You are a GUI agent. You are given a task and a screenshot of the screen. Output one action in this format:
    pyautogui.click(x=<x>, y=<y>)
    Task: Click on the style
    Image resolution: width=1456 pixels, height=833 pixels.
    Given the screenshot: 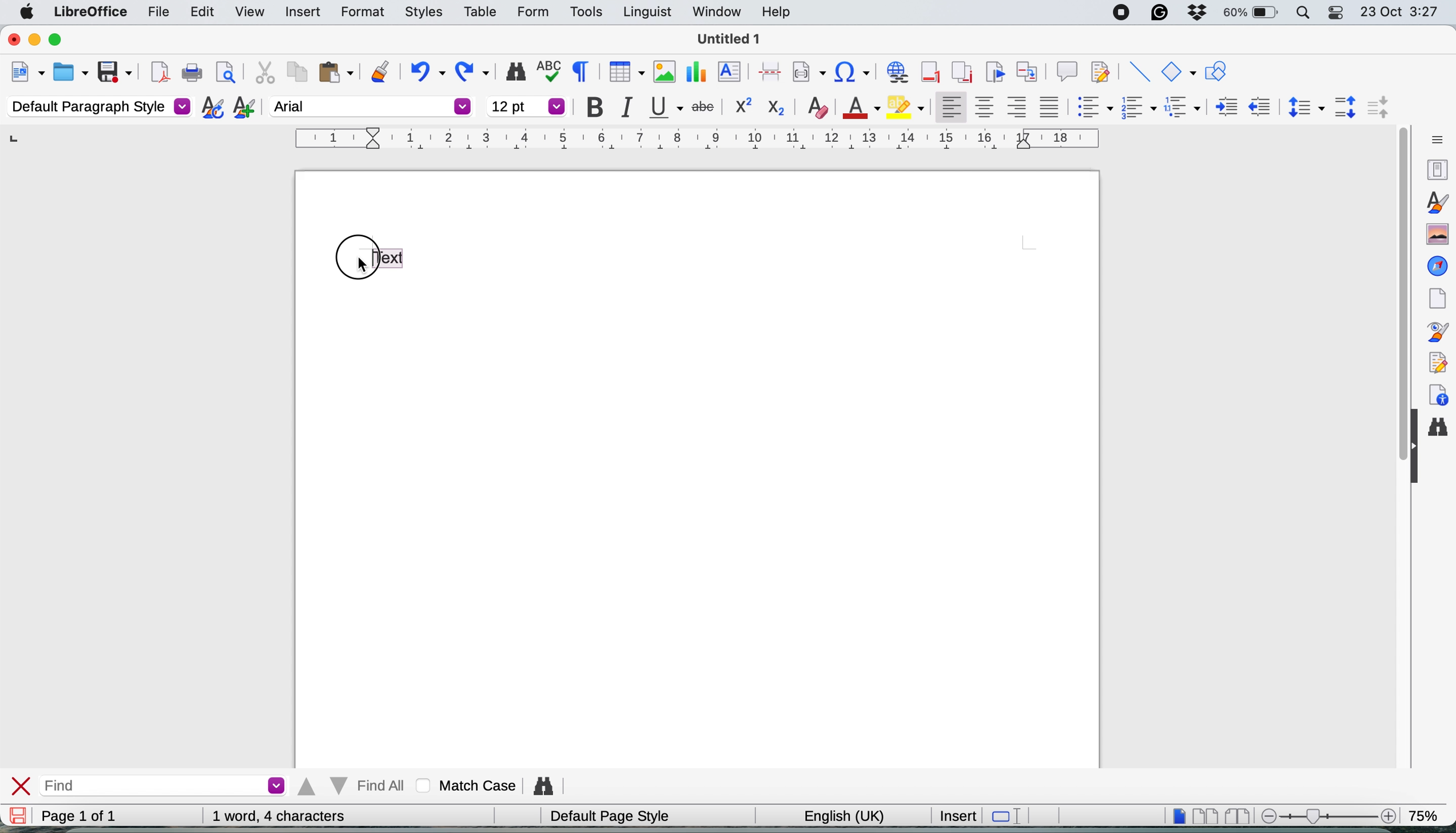 What is the action you would take?
    pyautogui.click(x=696, y=138)
    